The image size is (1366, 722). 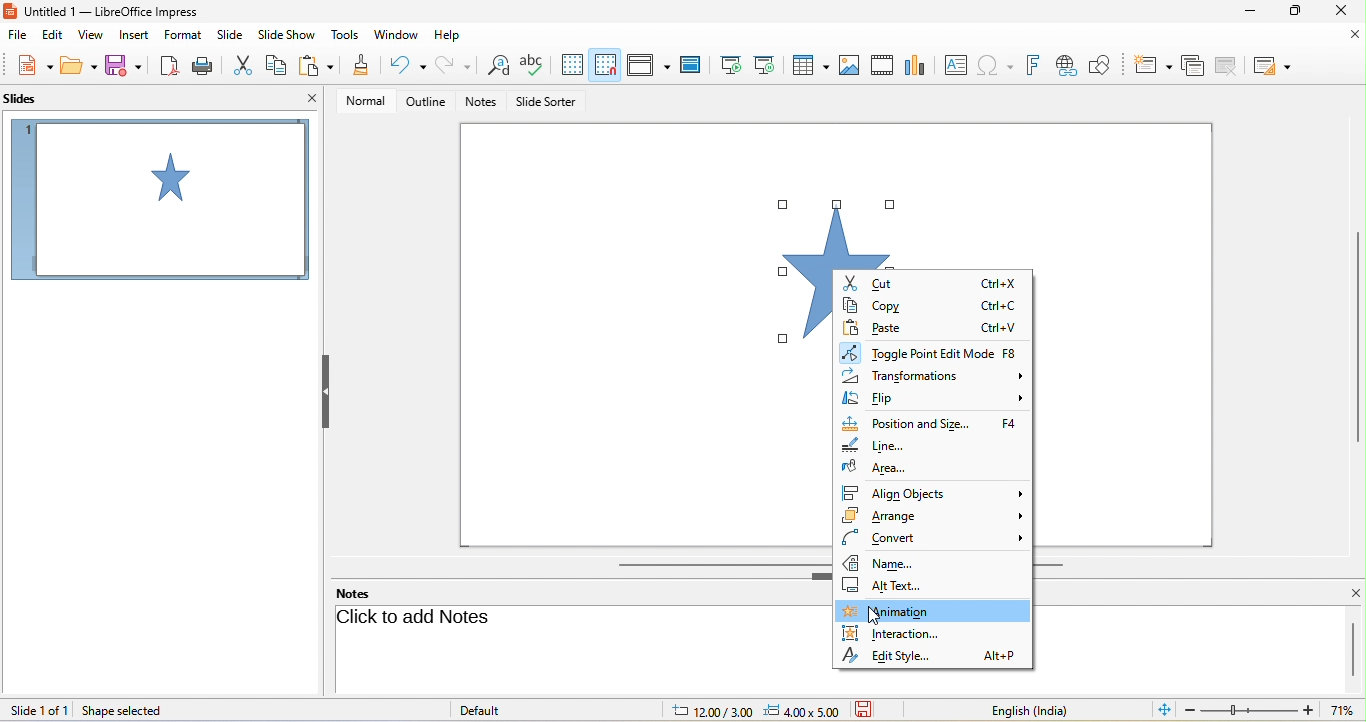 I want to click on toggle point edit mode, so click(x=931, y=352).